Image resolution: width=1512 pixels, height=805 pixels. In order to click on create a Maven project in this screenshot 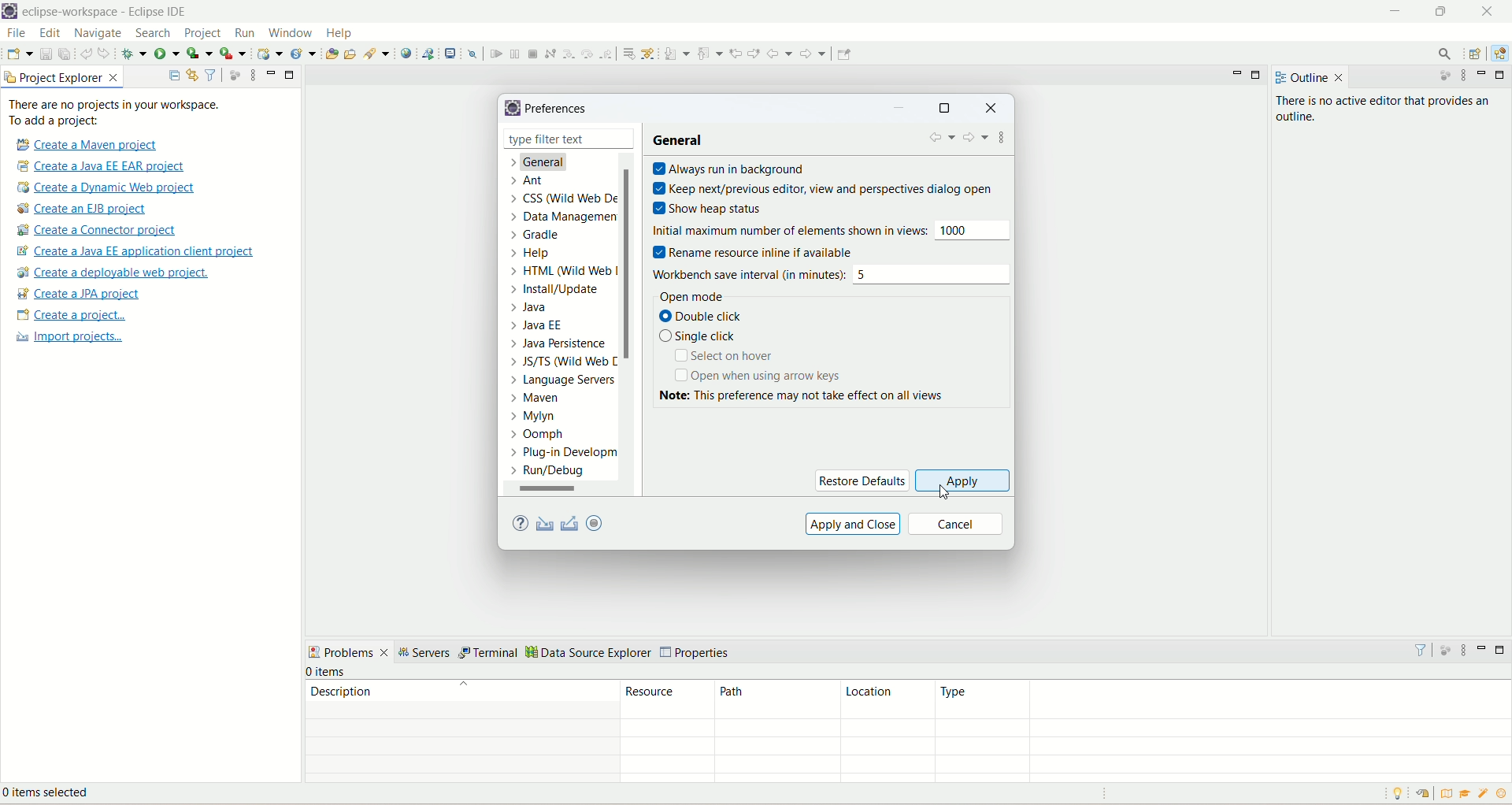, I will do `click(83, 144)`.